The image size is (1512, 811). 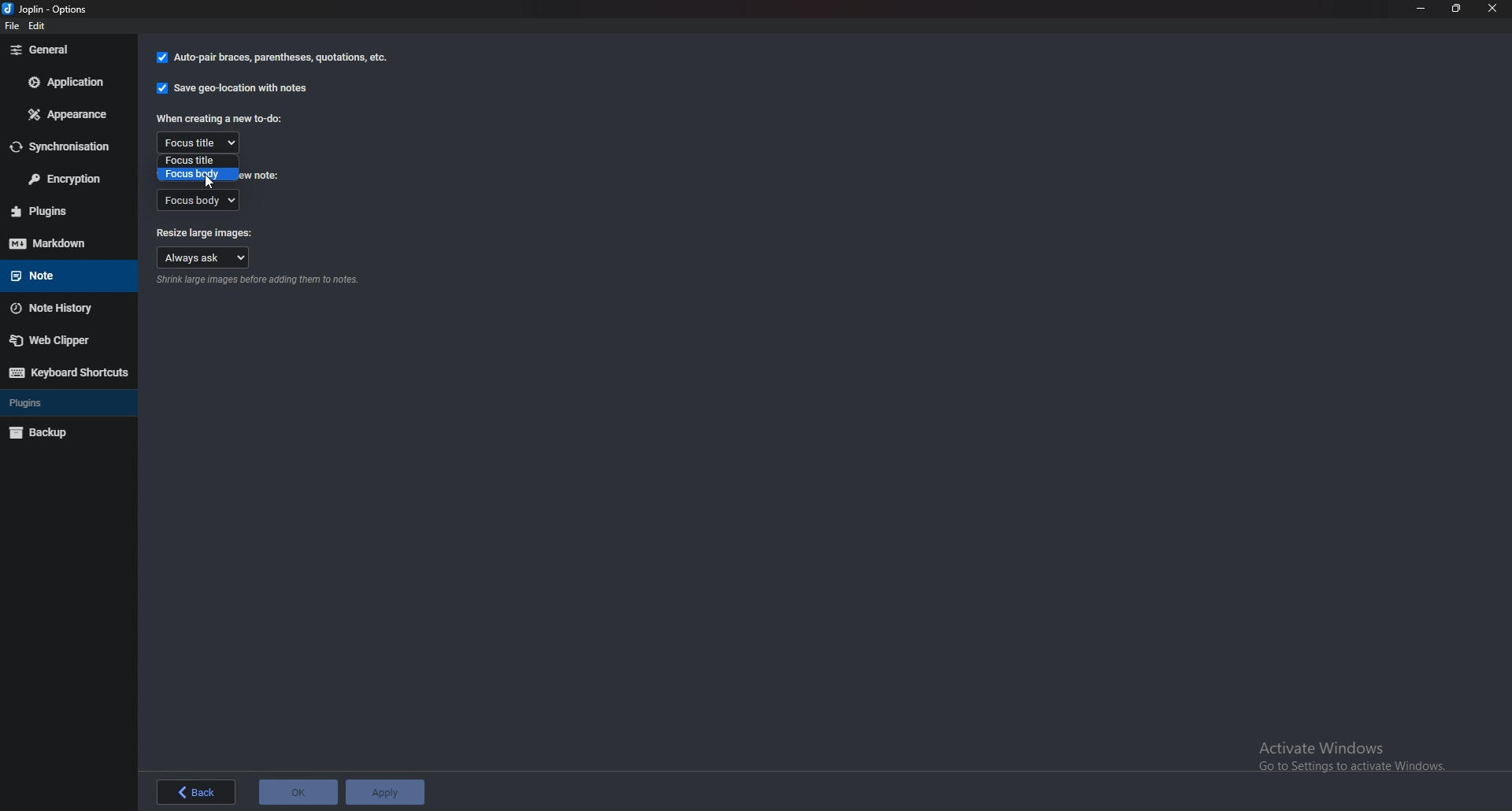 I want to click on back, so click(x=197, y=790).